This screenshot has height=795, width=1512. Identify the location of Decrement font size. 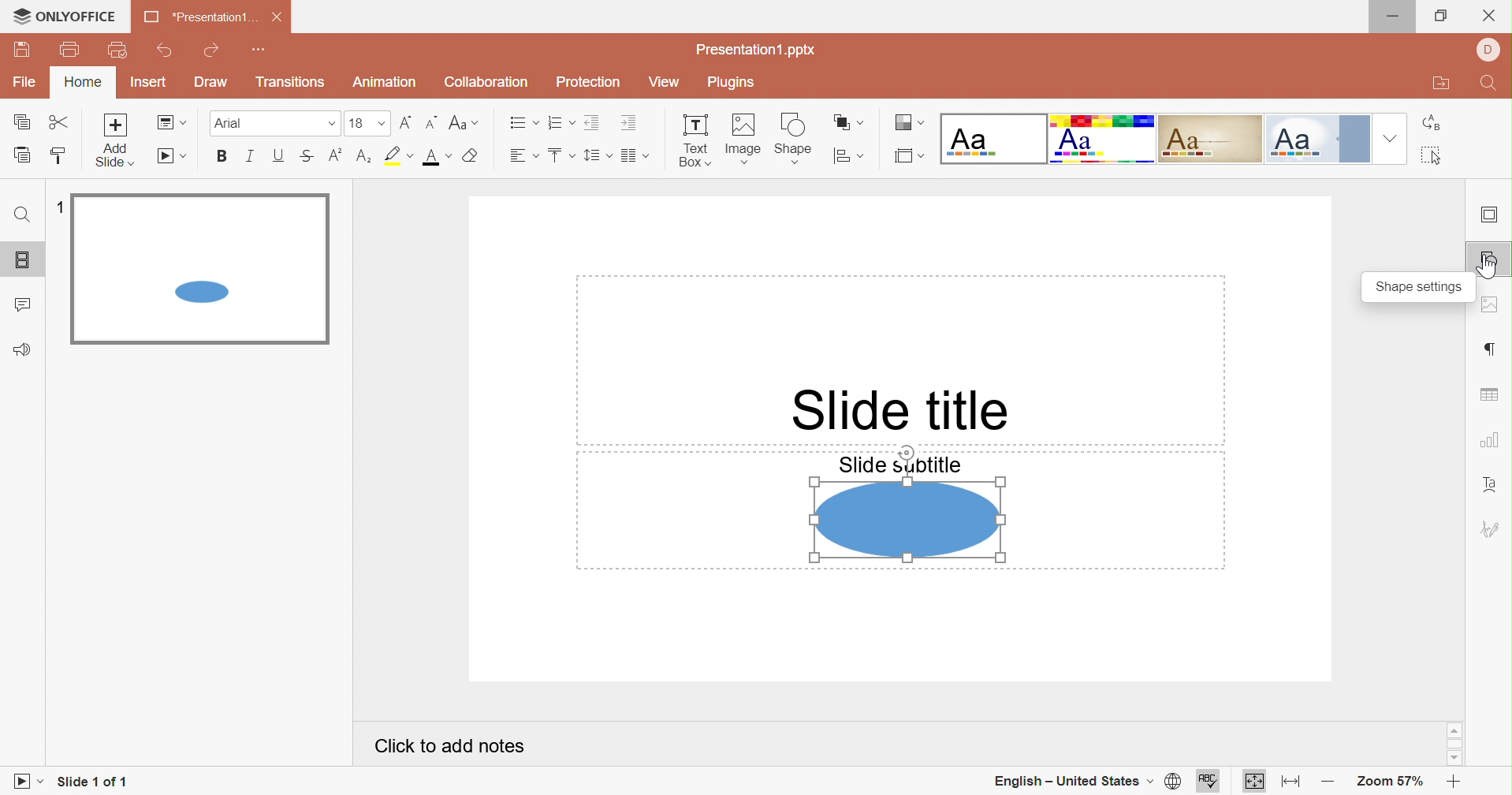
(429, 123).